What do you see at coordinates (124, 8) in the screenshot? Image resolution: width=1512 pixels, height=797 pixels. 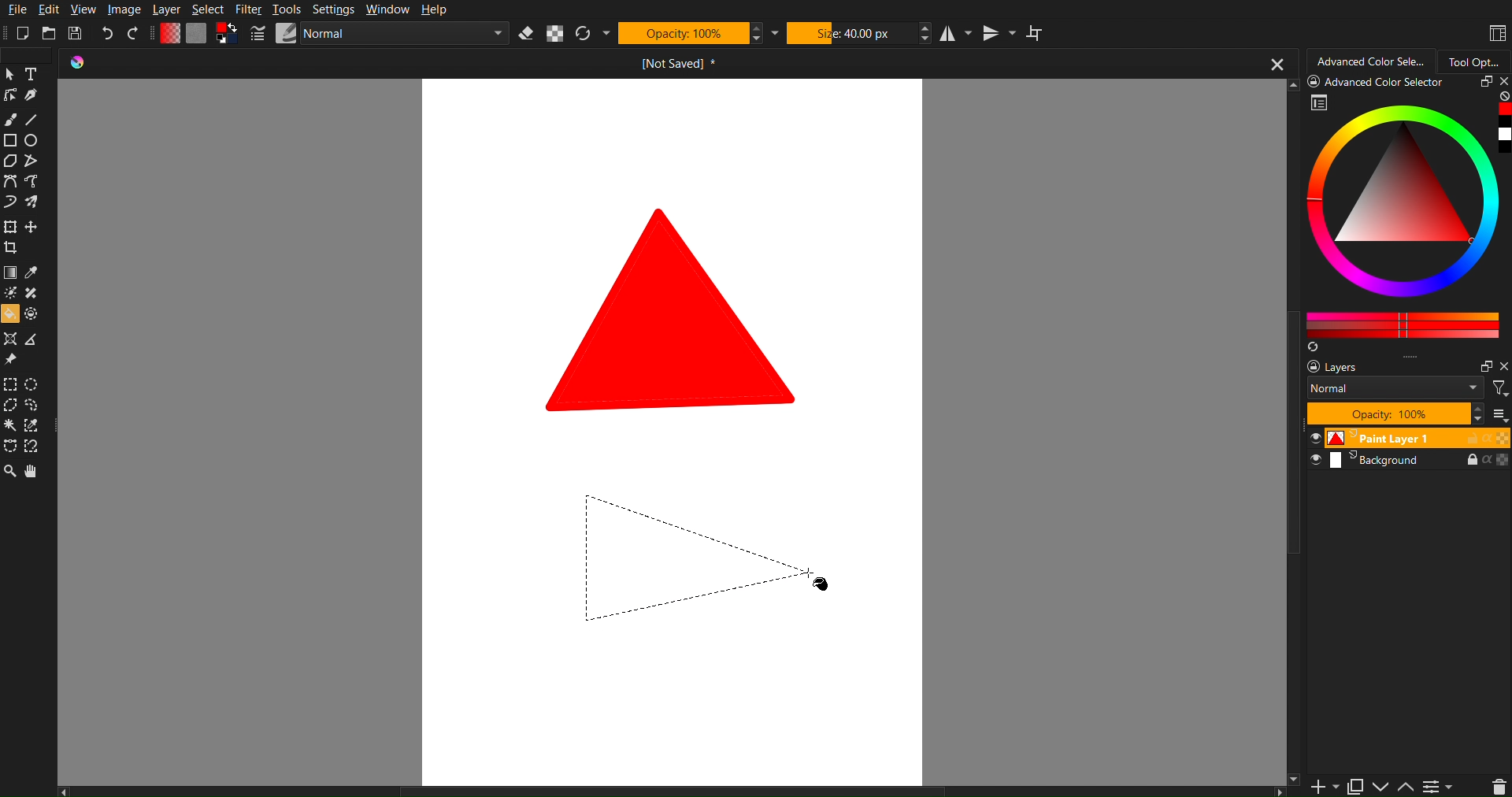 I see `Image` at bounding box center [124, 8].